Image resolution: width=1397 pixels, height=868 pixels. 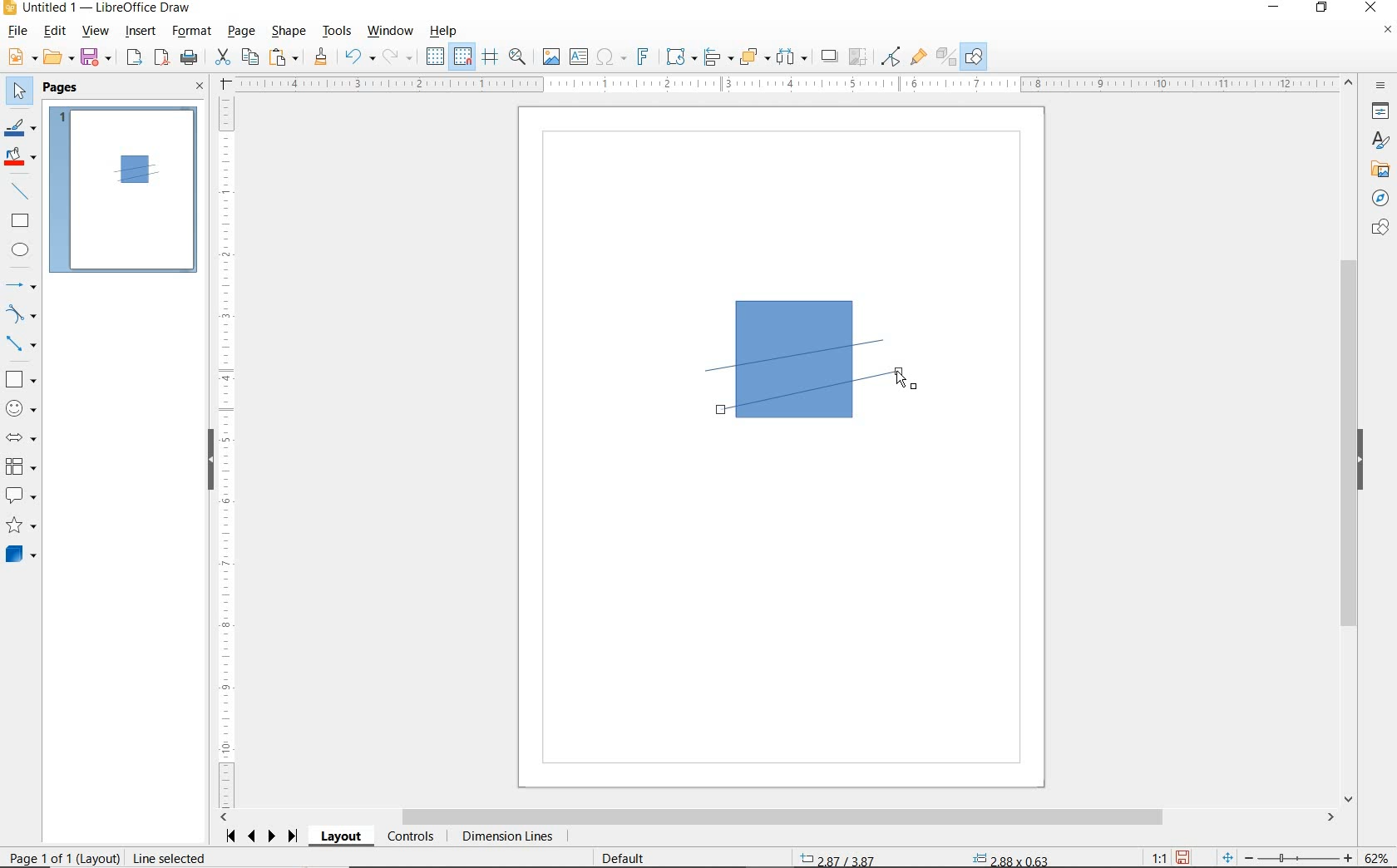 What do you see at coordinates (26, 437) in the screenshot?
I see `BLOCK ARROWS` at bounding box center [26, 437].